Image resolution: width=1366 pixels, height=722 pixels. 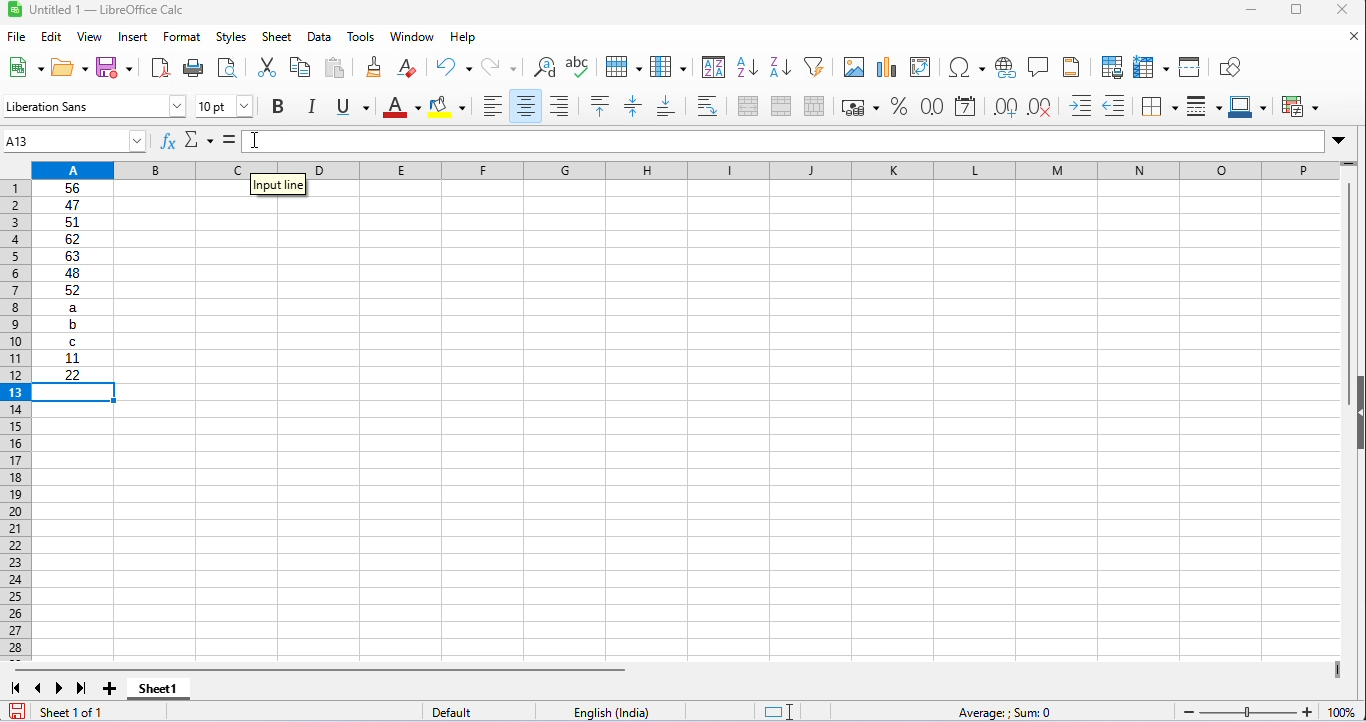 I want to click on decrease indent, so click(x=1117, y=105).